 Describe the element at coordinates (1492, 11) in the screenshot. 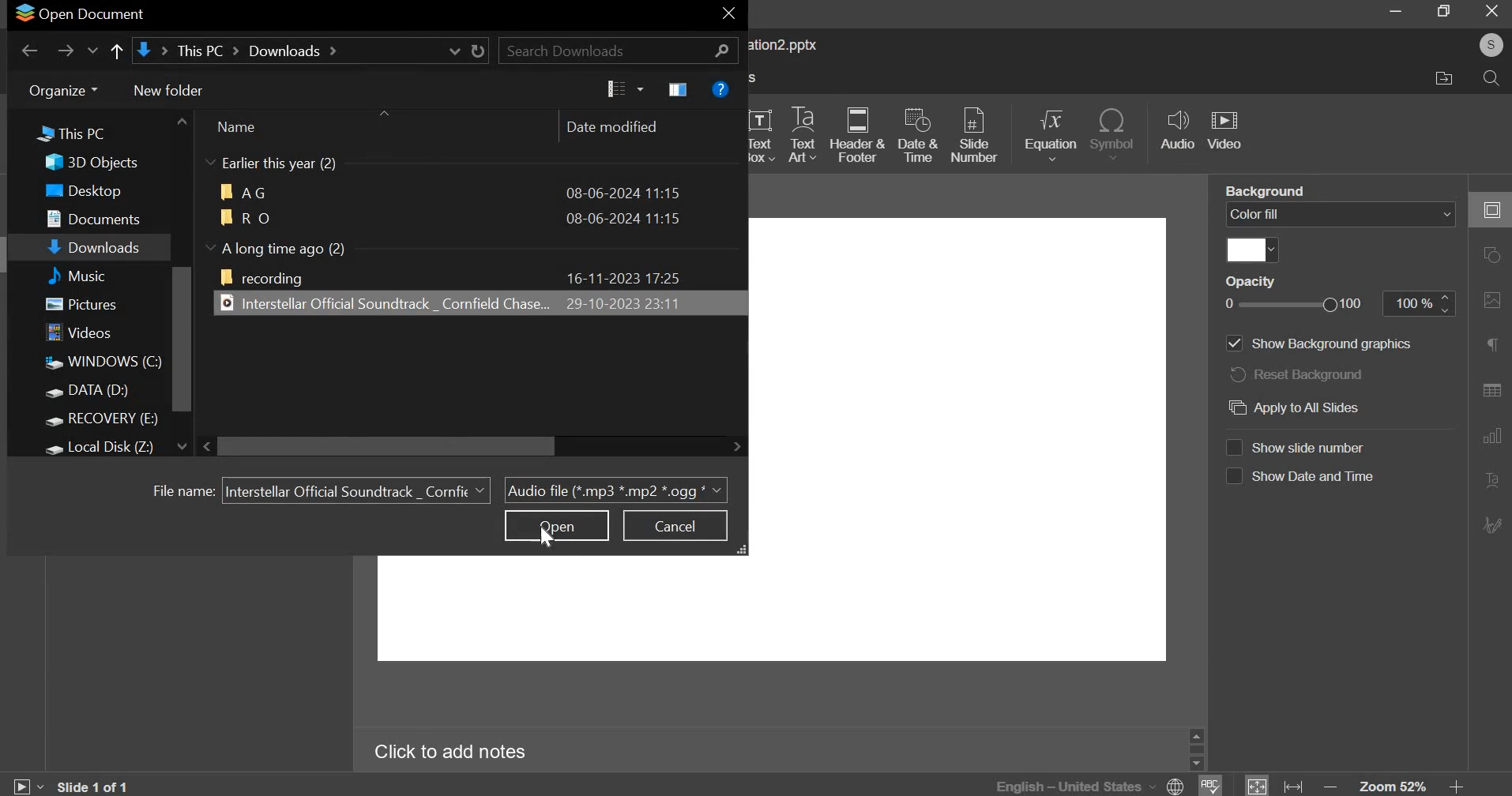

I see `exit` at that location.